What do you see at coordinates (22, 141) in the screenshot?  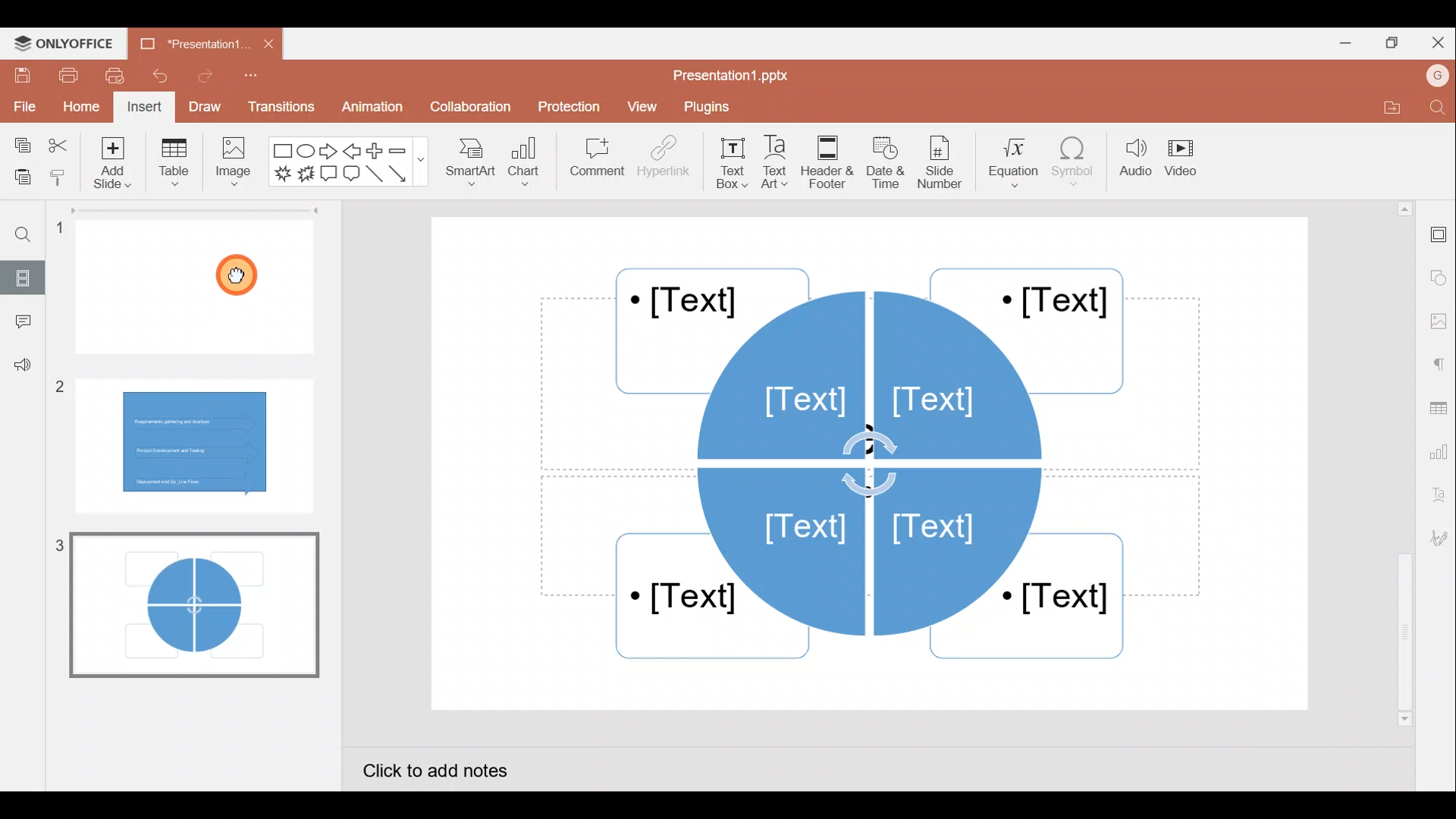 I see `Copy` at bounding box center [22, 141].